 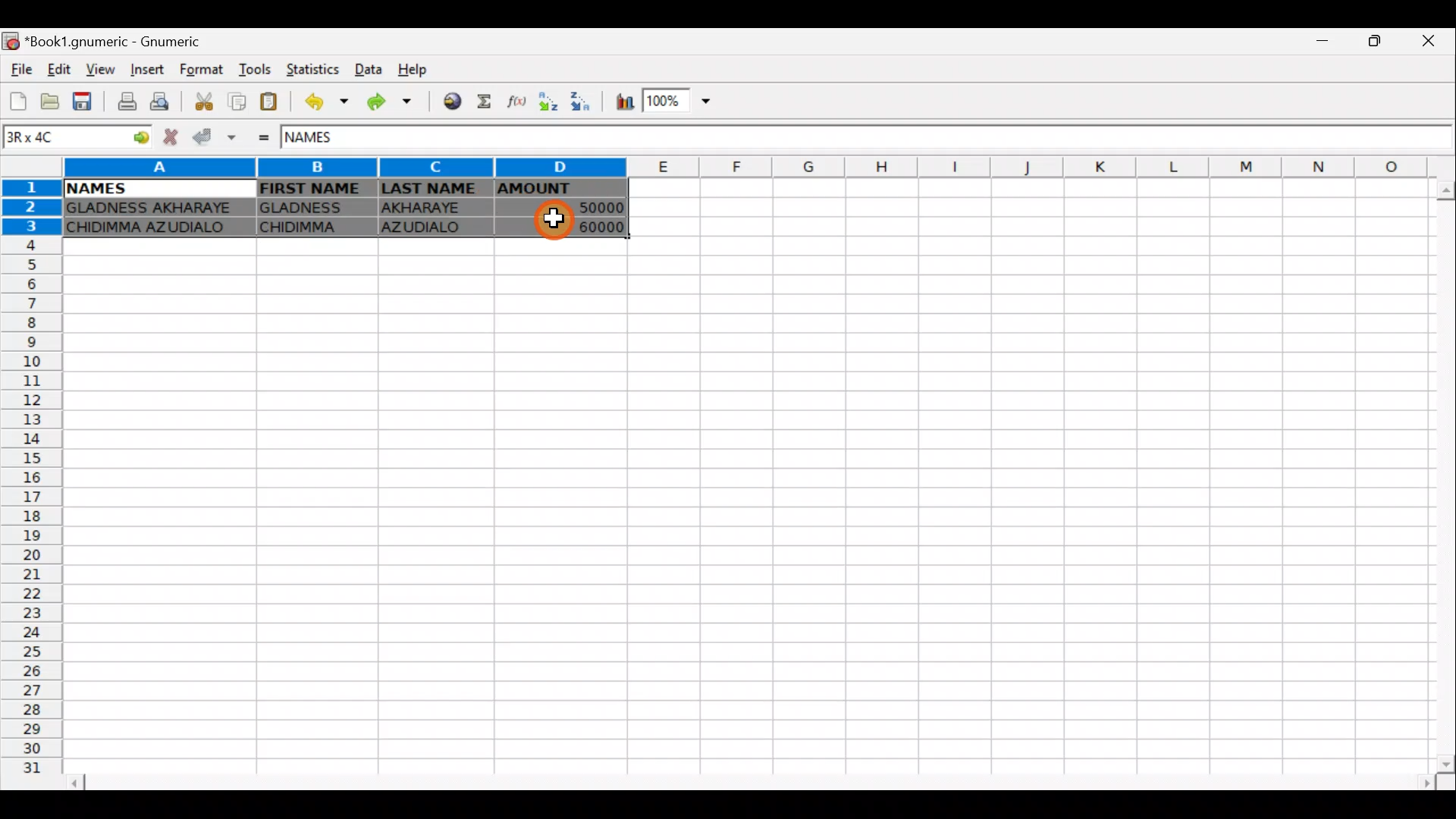 I want to click on Gnumeric logo, so click(x=12, y=42).